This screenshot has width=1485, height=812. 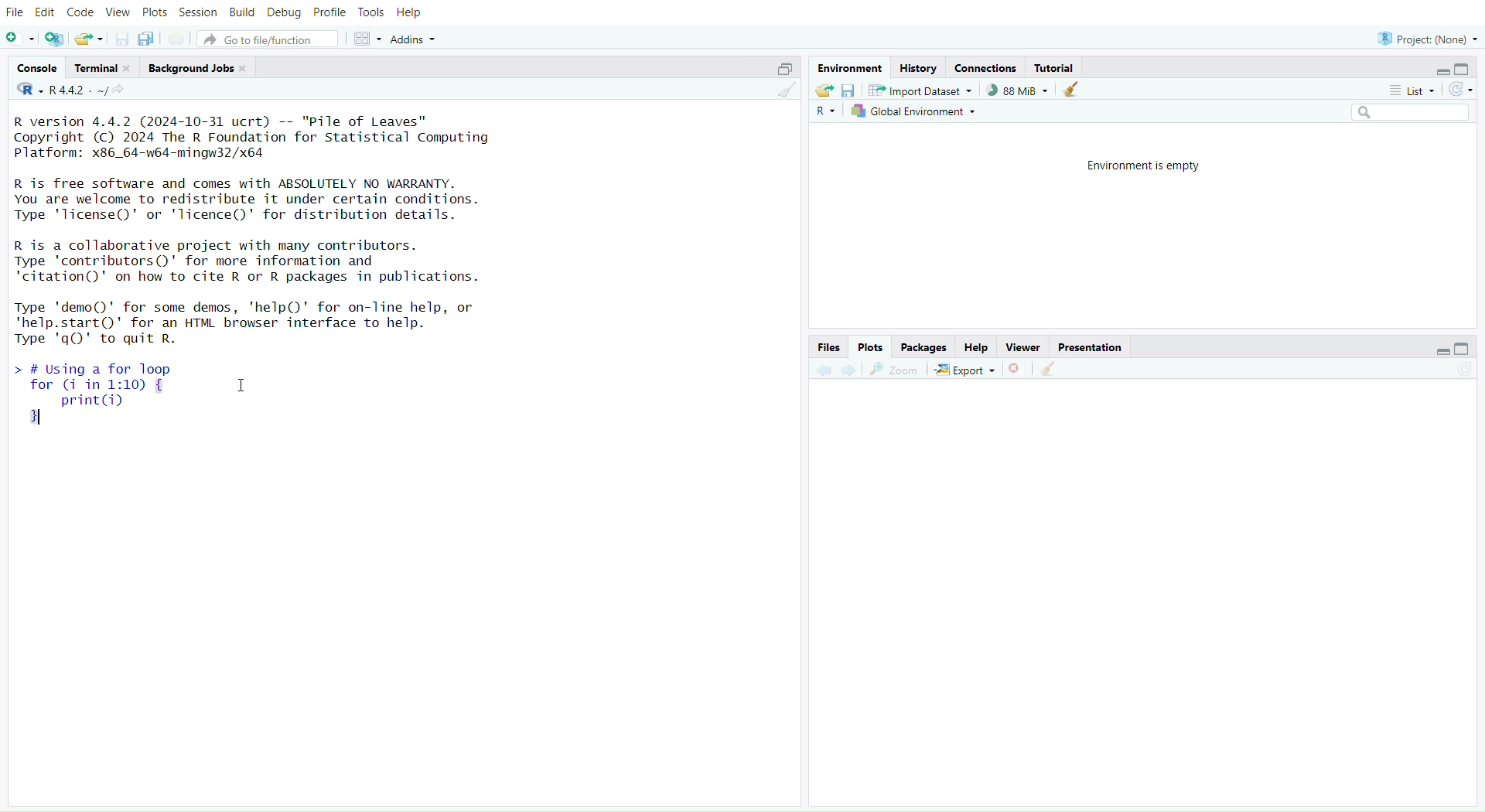 I want to click on help, so click(x=408, y=14).